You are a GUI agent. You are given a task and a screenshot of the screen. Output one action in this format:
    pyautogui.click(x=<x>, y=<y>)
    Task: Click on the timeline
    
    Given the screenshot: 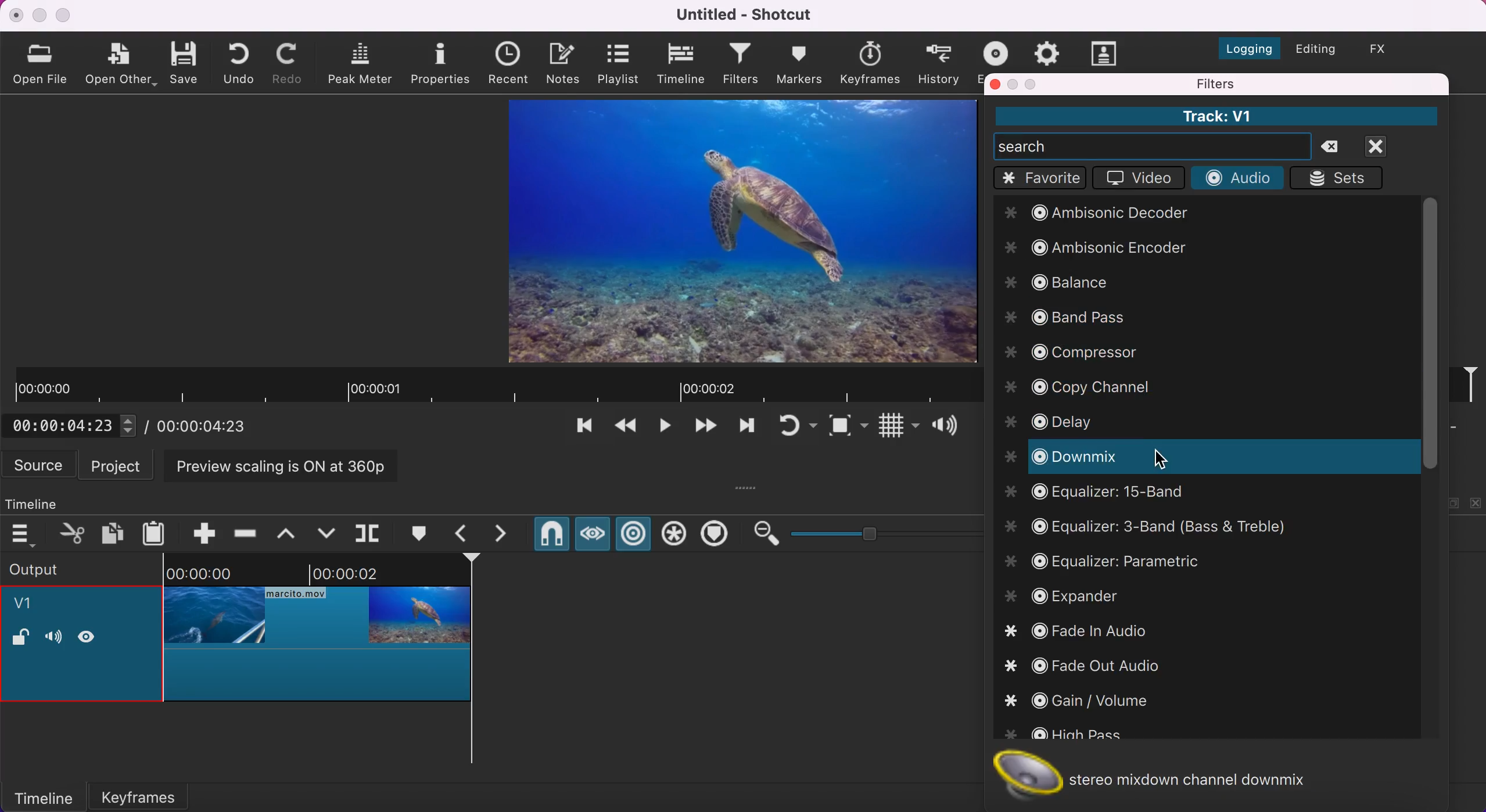 What is the action you would take?
    pyautogui.click(x=44, y=501)
    